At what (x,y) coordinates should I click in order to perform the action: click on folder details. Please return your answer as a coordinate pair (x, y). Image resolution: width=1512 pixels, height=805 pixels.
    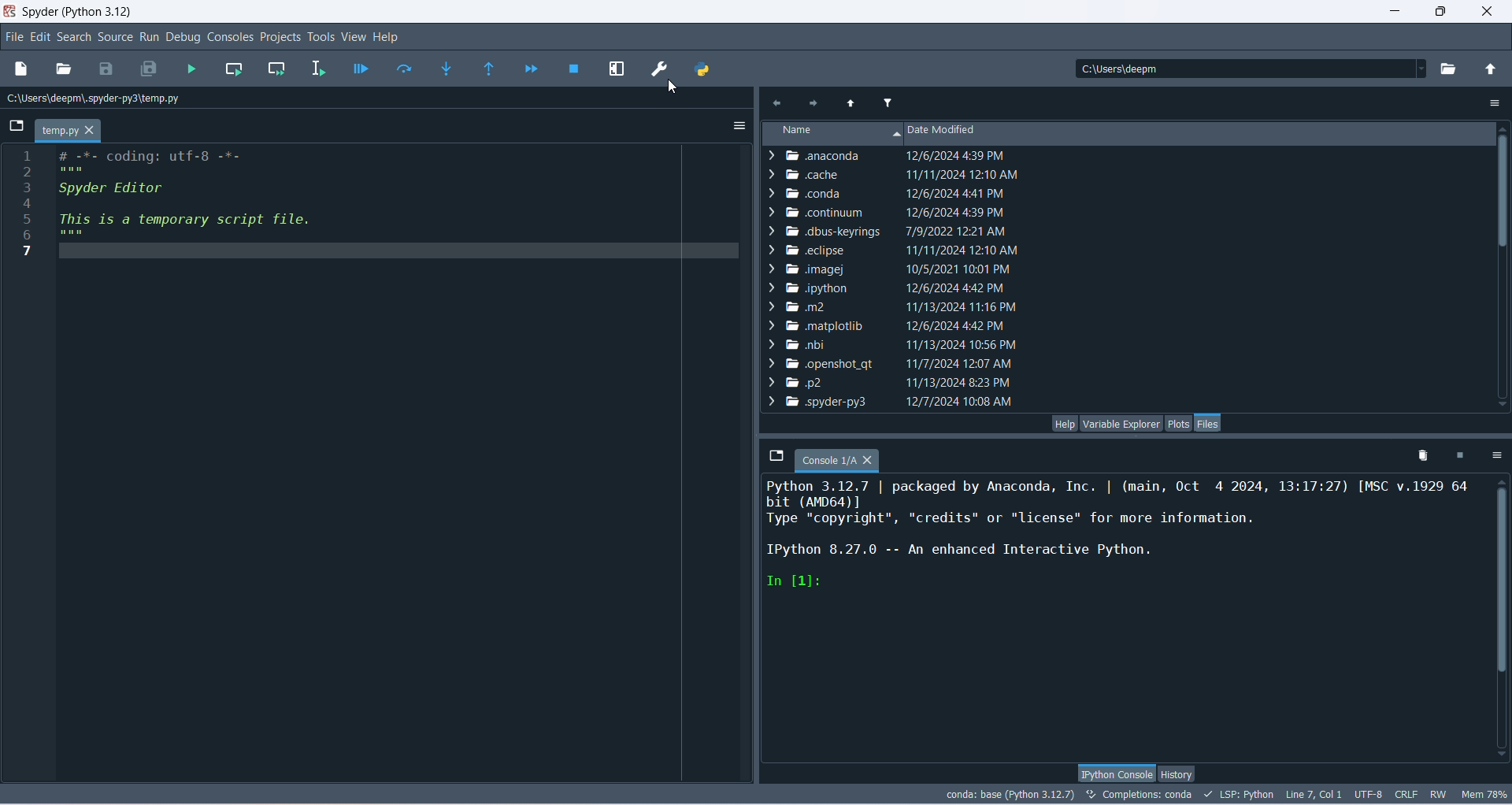
    Looking at the image, I should click on (893, 343).